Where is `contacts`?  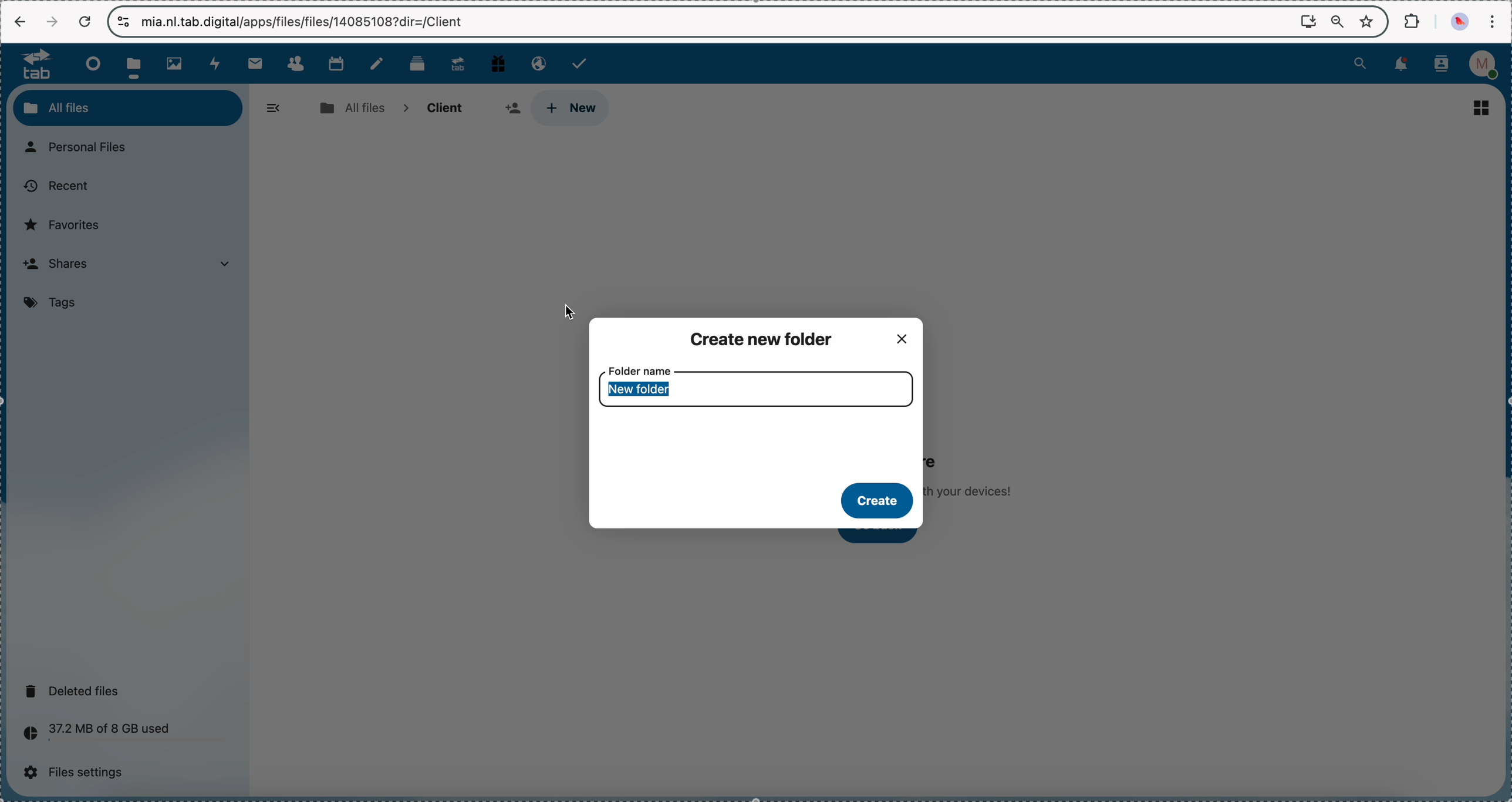
contacts is located at coordinates (295, 64).